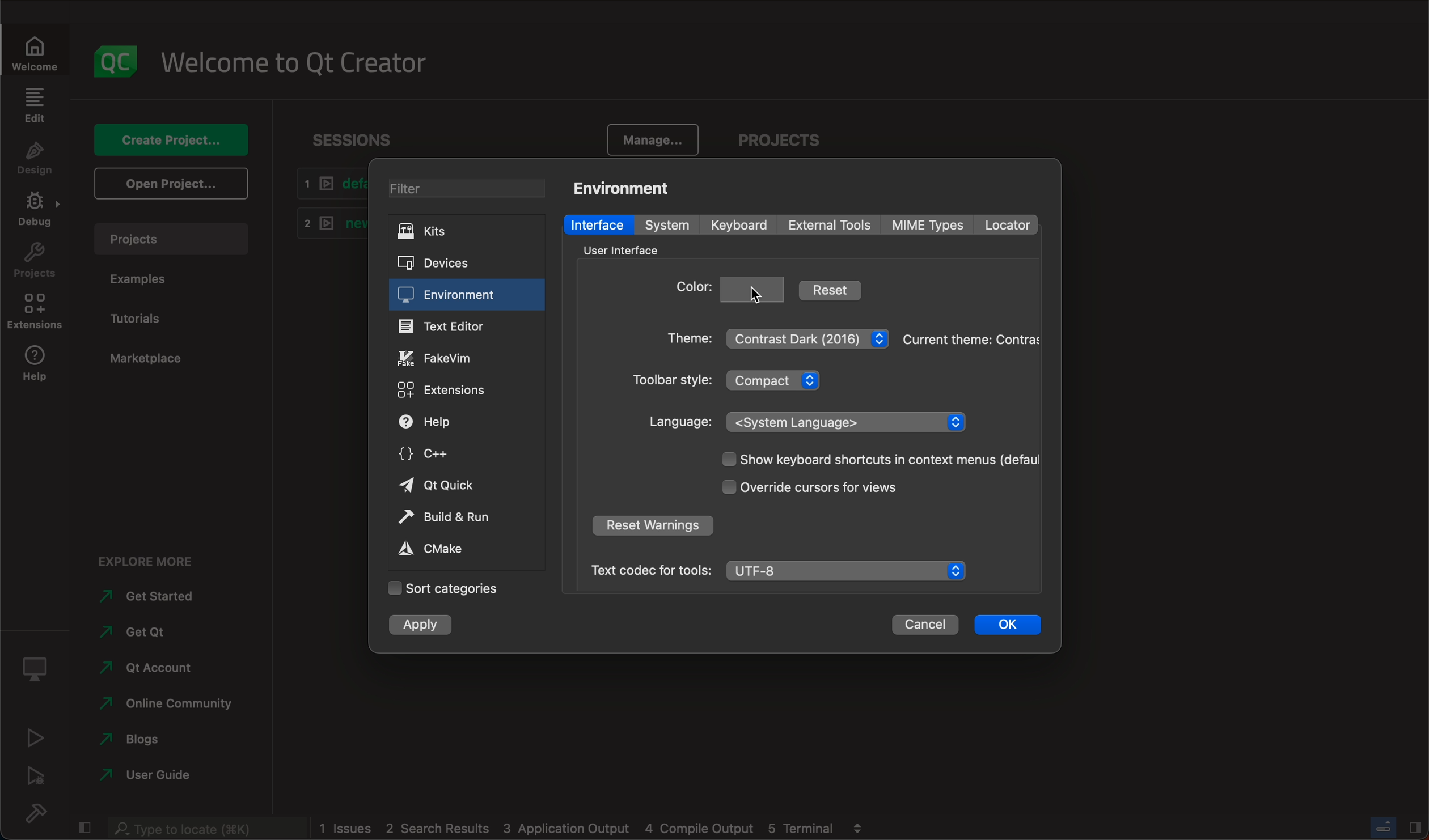 Image resolution: width=1429 pixels, height=840 pixels. What do you see at coordinates (37, 368) in the screenshot?
I see `help` at bounding box center [37, 368].